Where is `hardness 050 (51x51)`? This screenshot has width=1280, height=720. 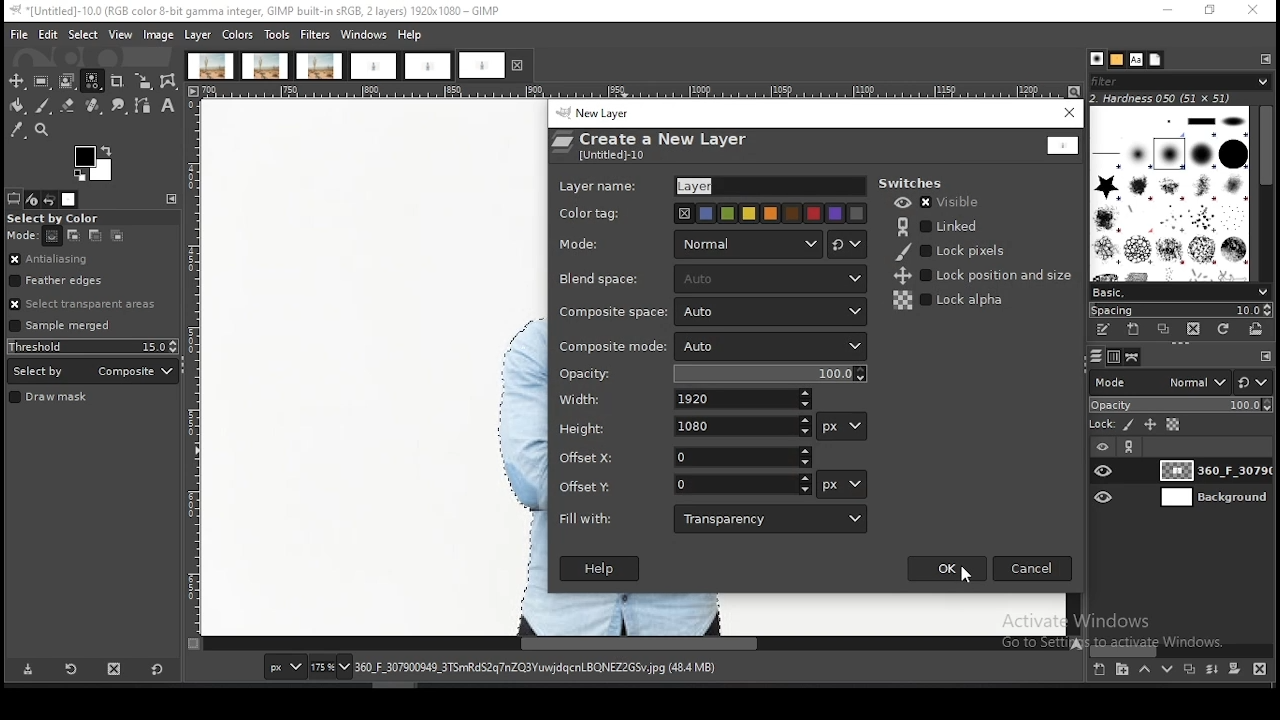 hardness 050 (51x51) is located at coordinates (1161, 98).